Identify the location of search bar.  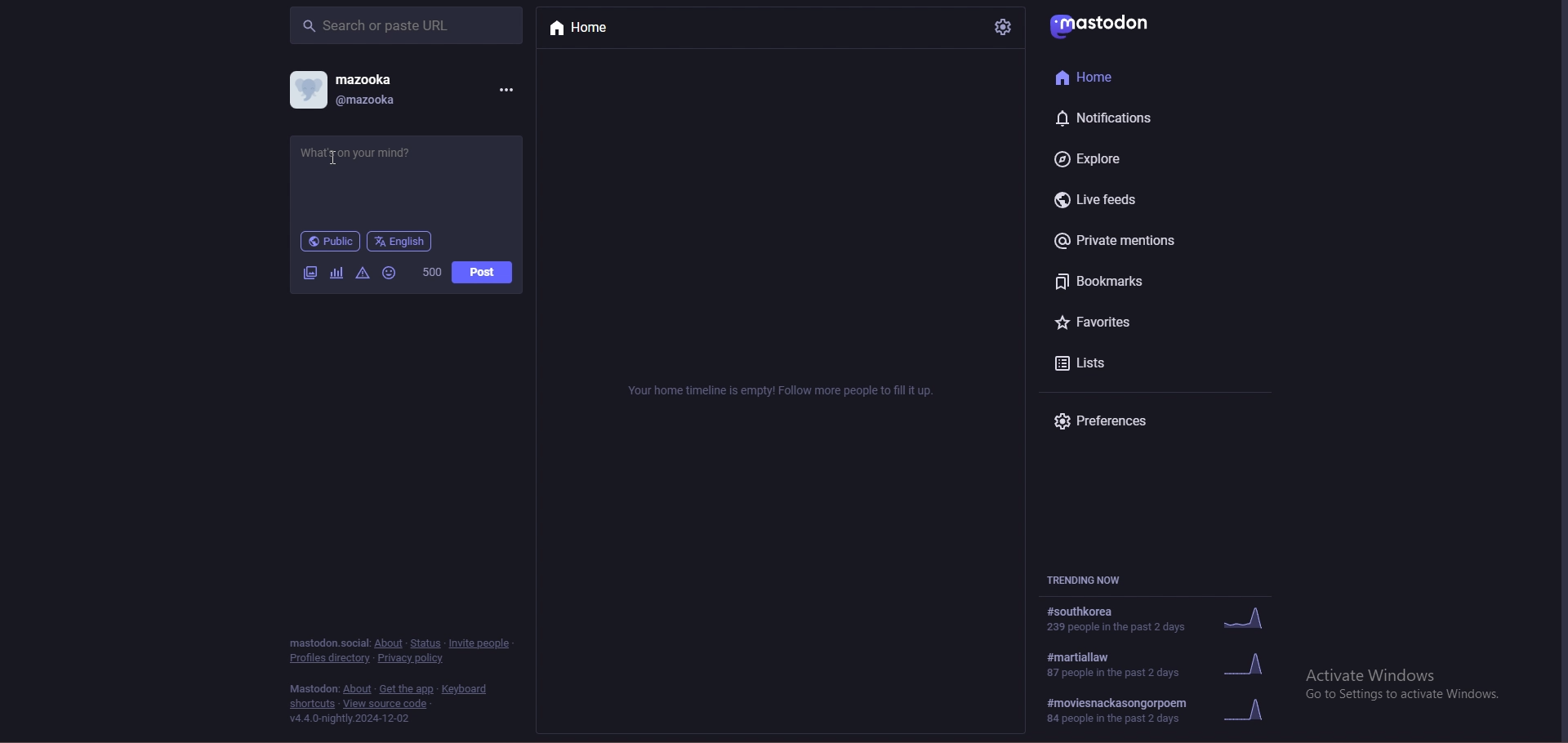
(406, 24).